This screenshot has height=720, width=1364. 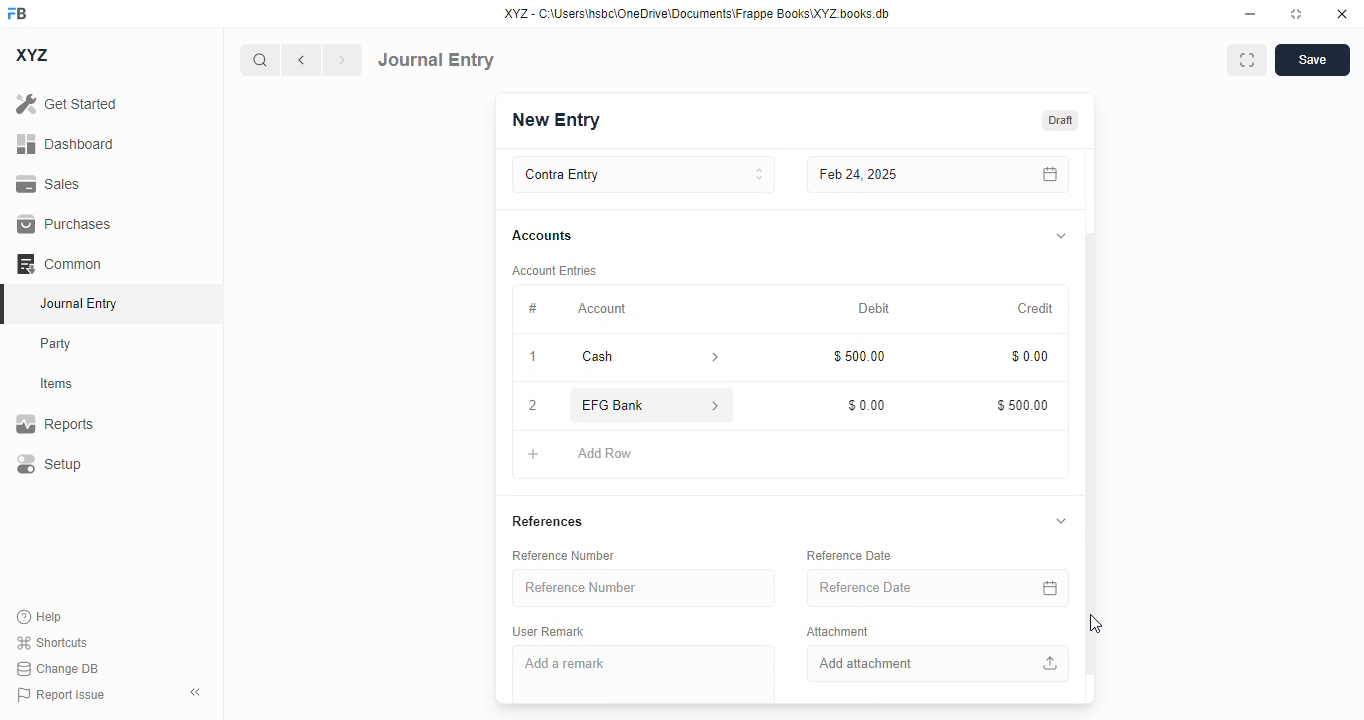 What do you see at coordinates (850, 555) in the screenshot?
I see `reference date` at bounding box center [850, 555].